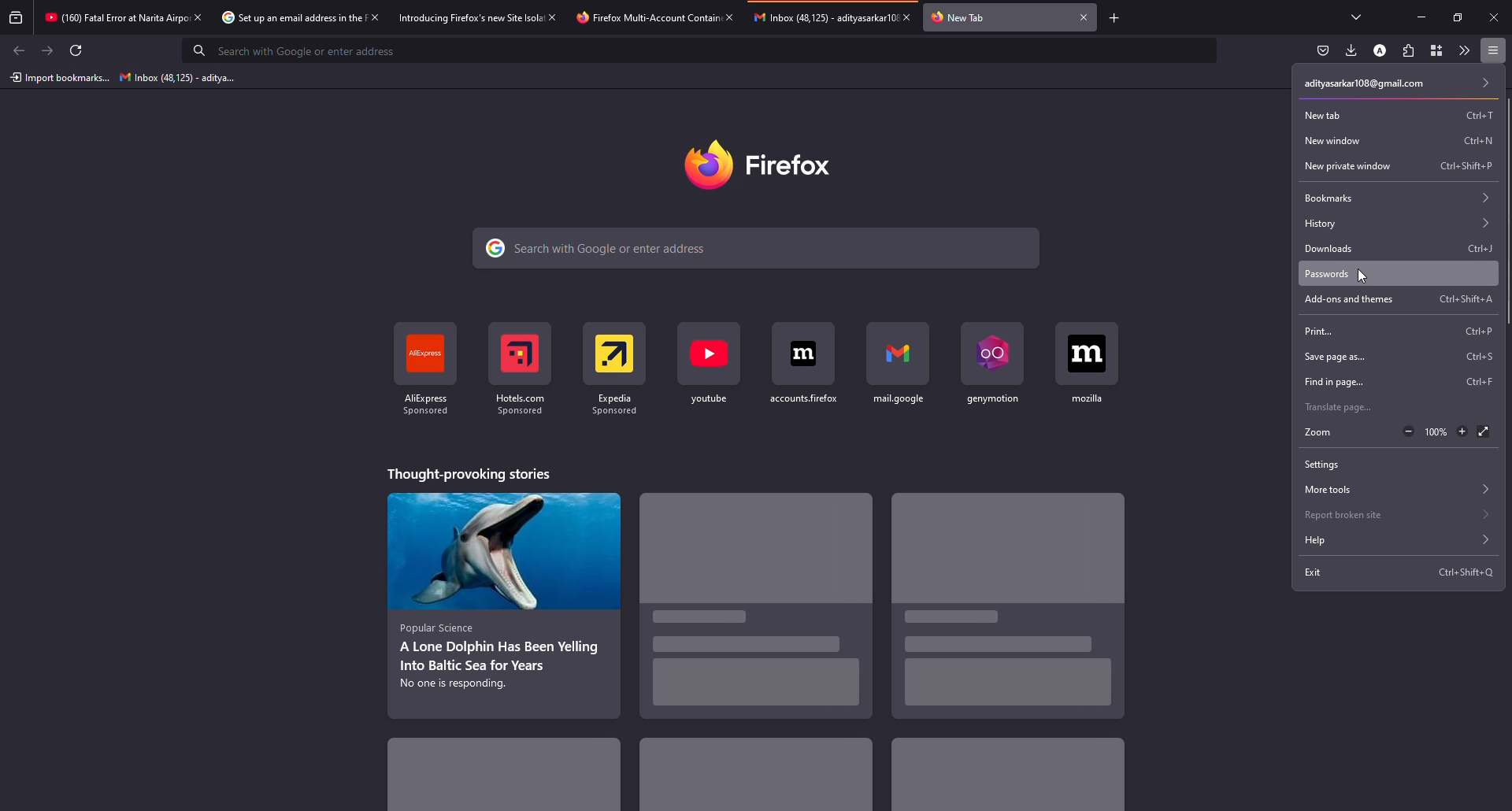  What do you see at coordinates (728, 17) in the screenshot?
I see `close` at bounding box center [728, 17].